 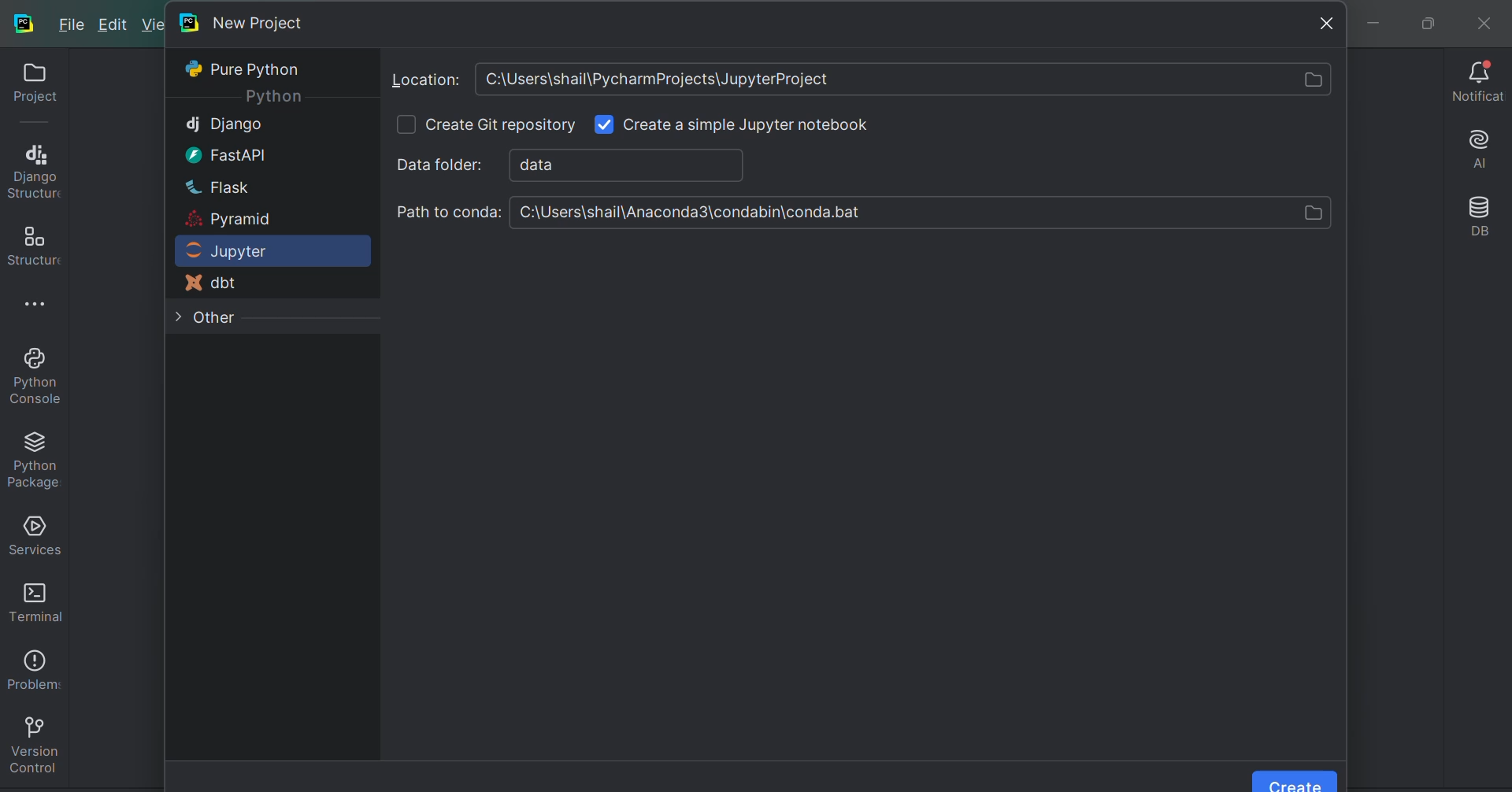 I want to click on Services, so click(x=33, y=532).